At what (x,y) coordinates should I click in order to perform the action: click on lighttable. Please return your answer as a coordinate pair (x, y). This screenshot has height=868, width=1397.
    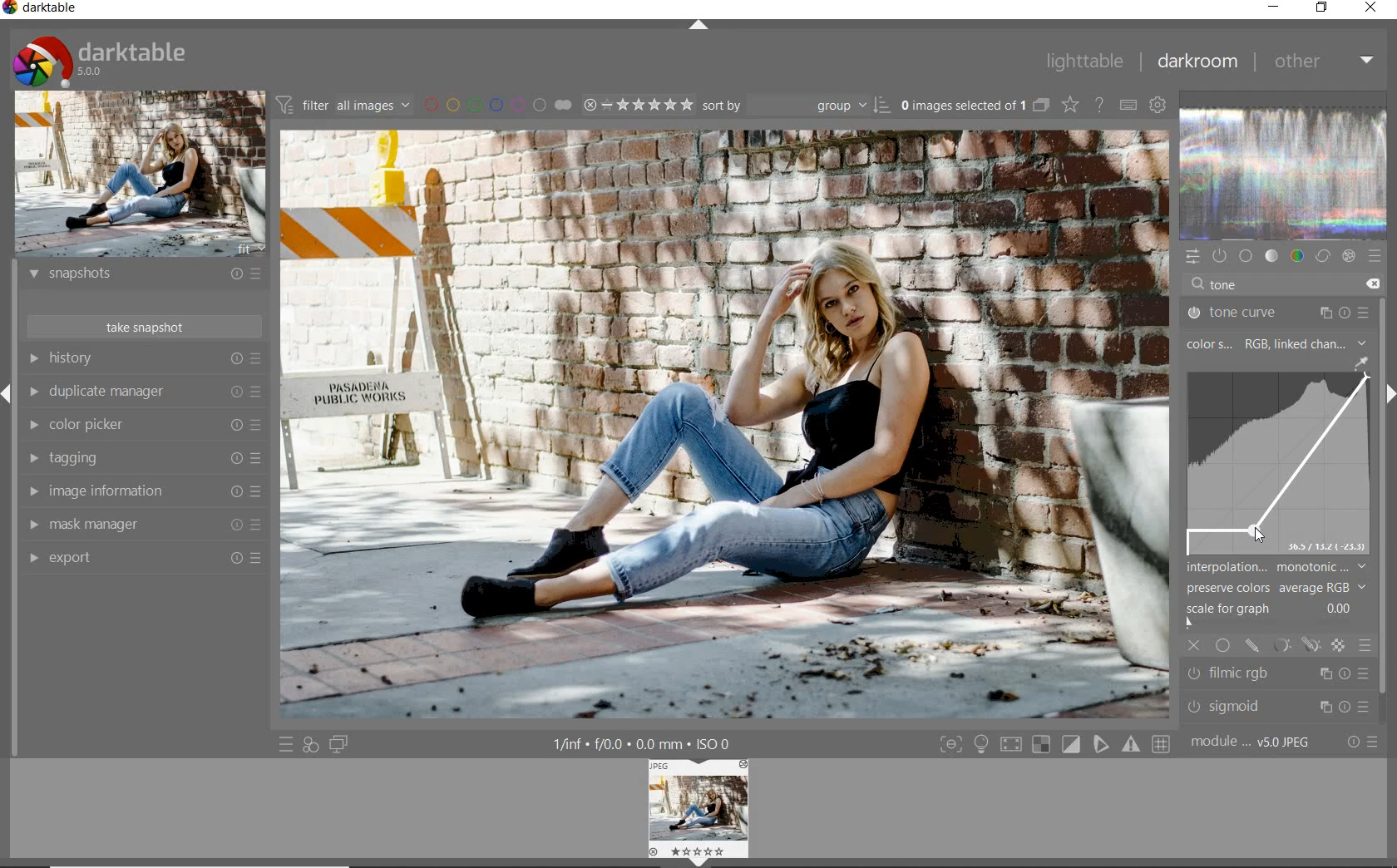
    Looking at the image, I should click on (1083, 64).